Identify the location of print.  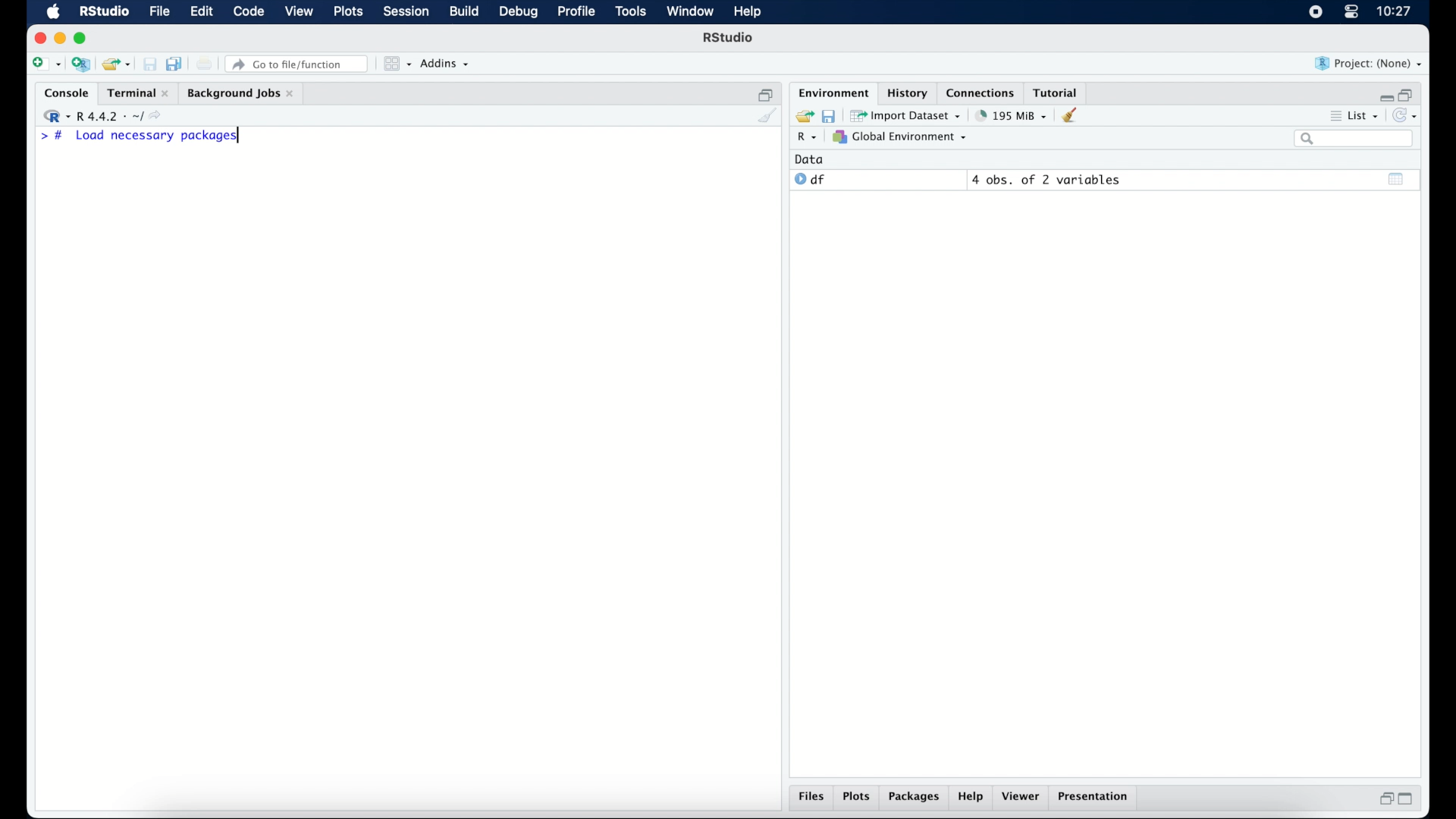
(205, 64).